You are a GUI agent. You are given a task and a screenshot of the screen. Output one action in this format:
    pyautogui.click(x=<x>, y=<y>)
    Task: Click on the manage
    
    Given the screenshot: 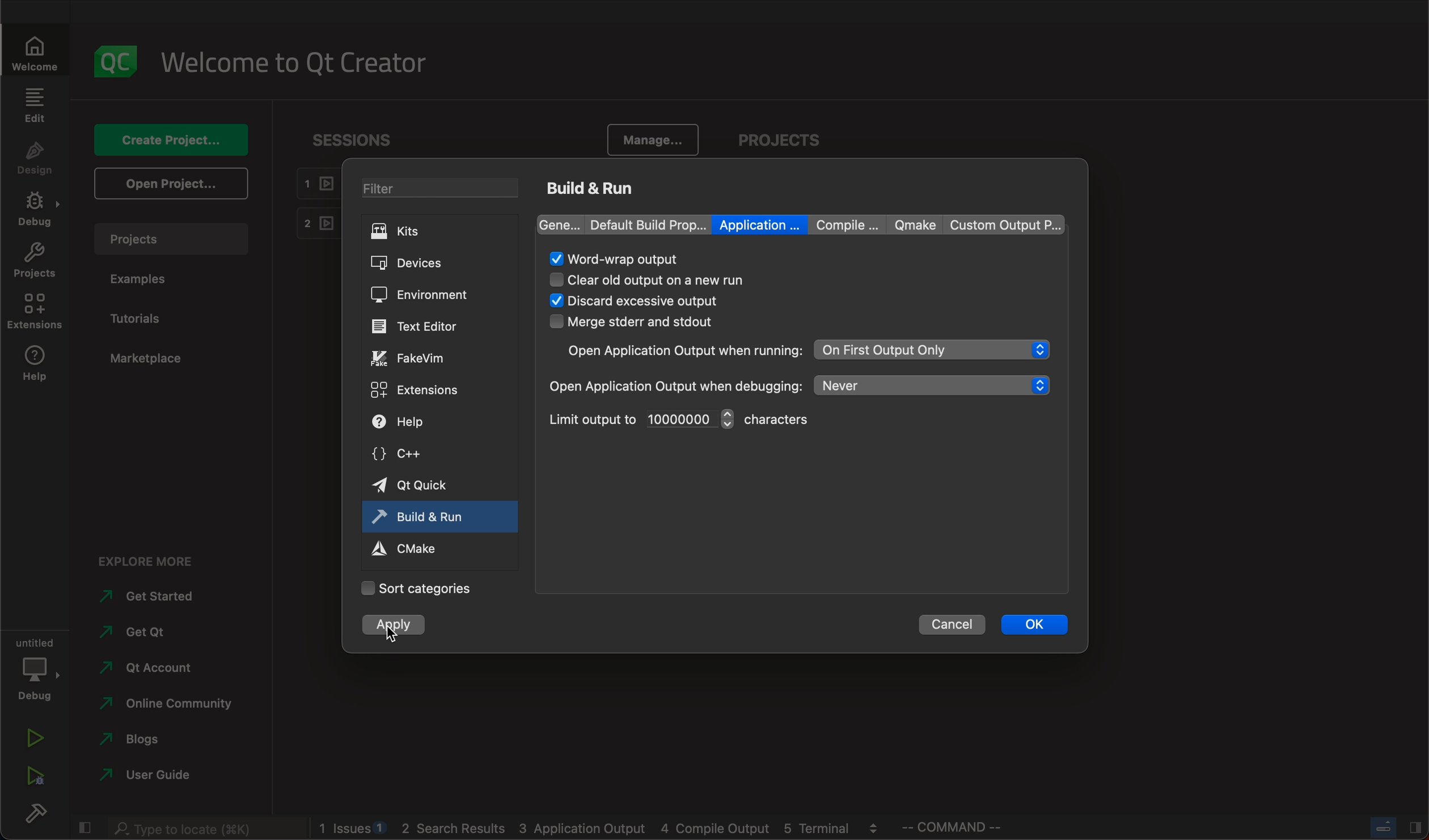 What is the action you would take?
    pyautogui.click(x=657, y=138)
    